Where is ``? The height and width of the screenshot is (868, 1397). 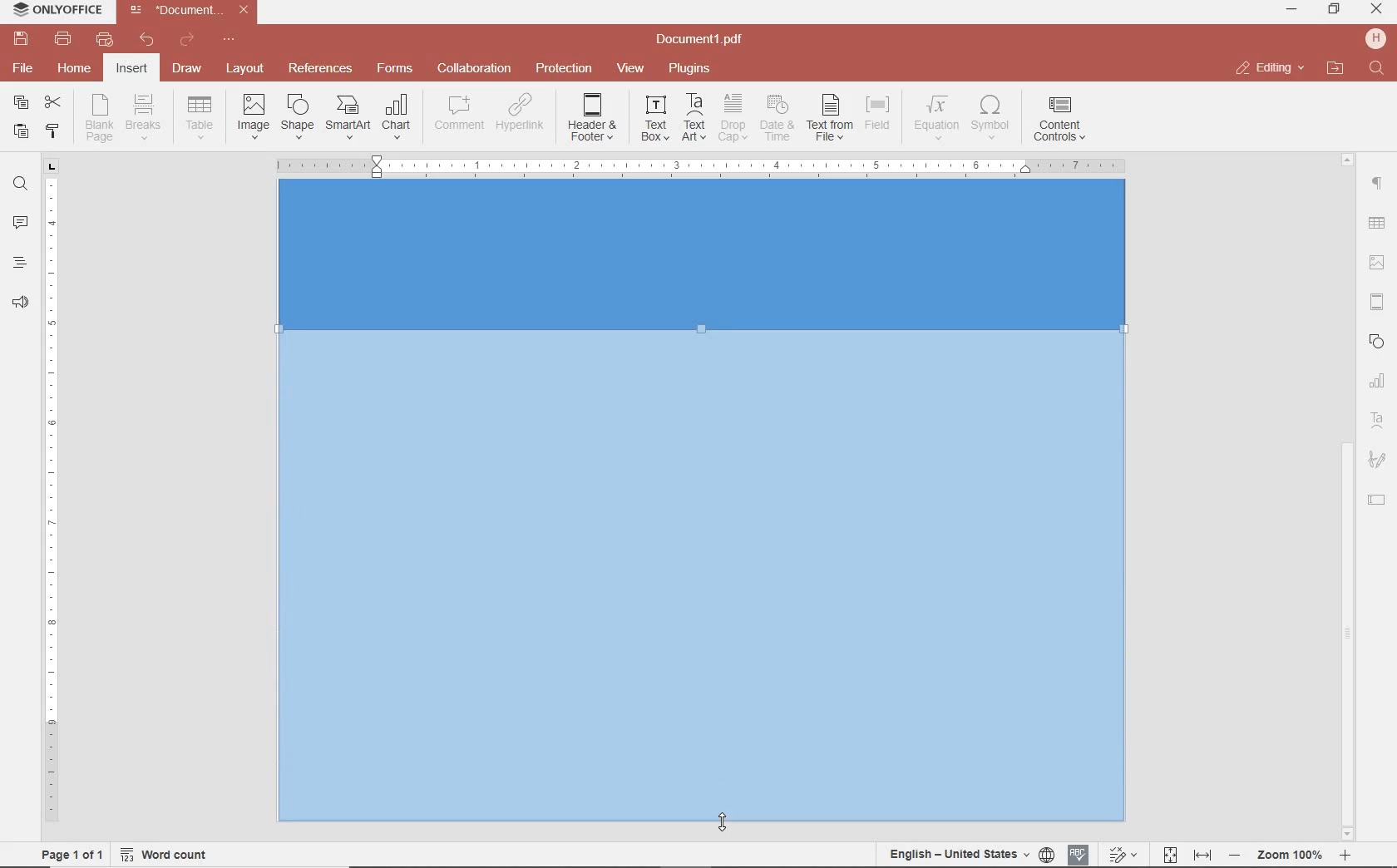  is located at coordinates (701, 257).